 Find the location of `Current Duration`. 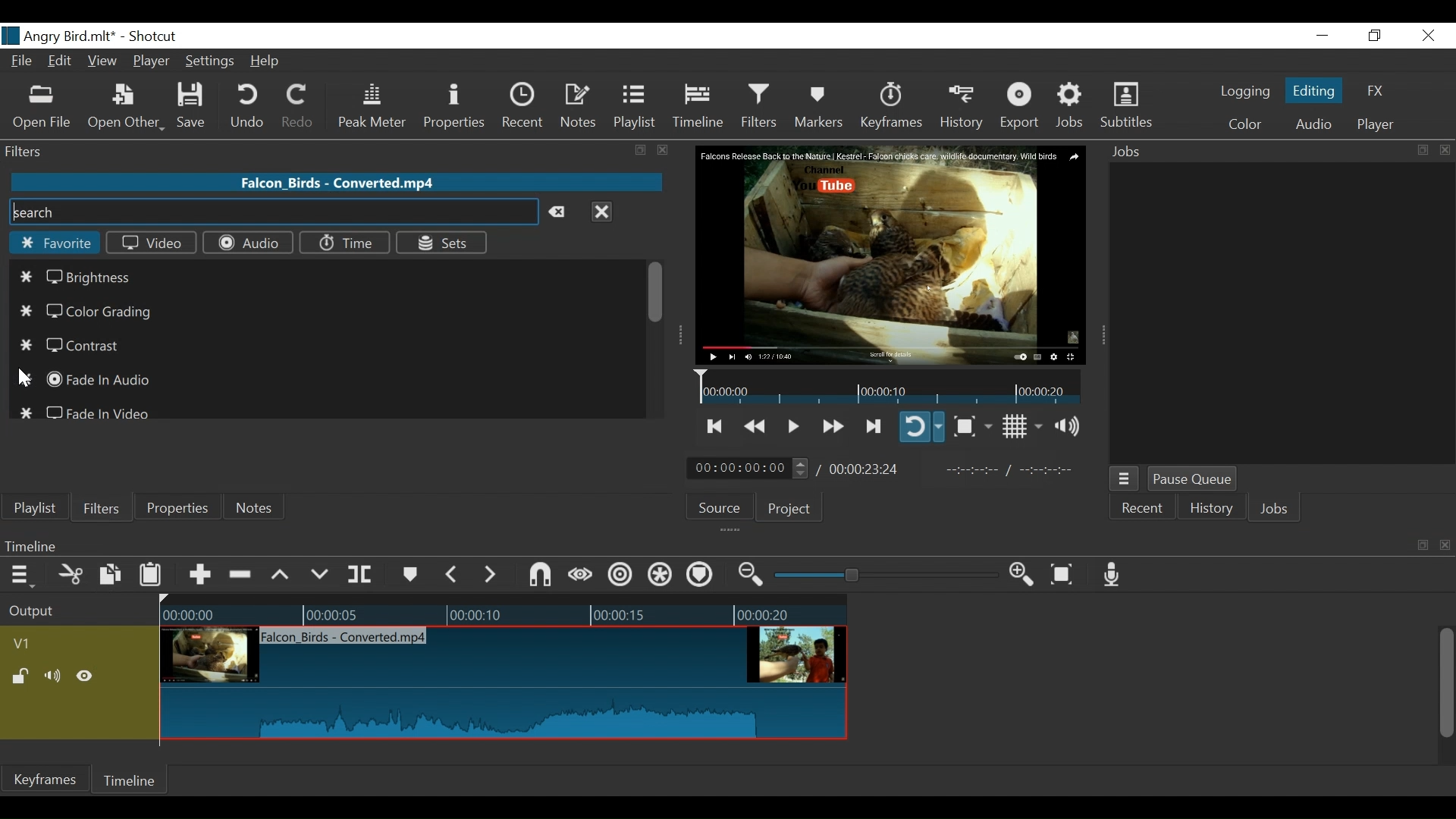

Current Duration is located at coordinates (748, 467).